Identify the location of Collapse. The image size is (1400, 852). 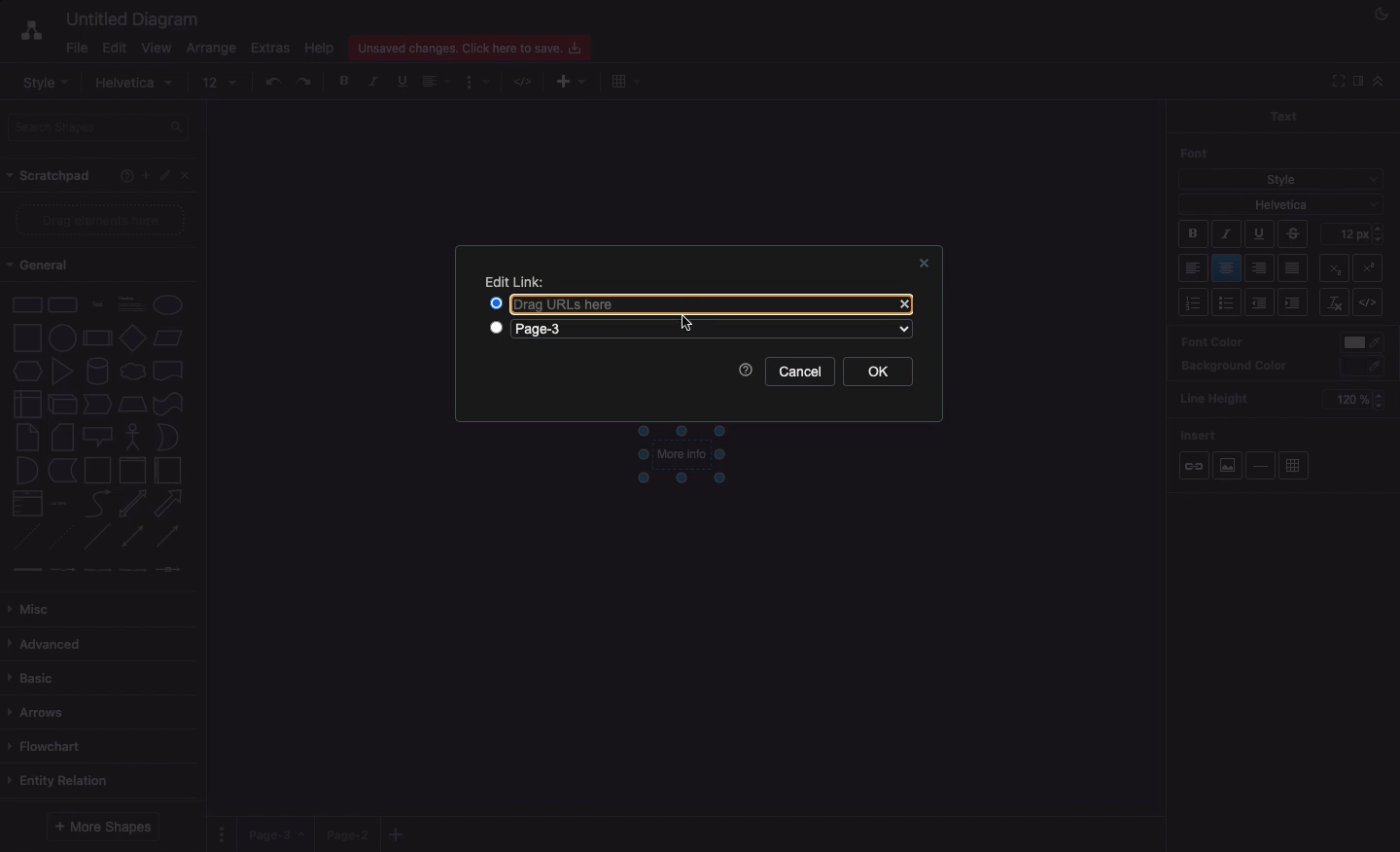
(1378, 81).